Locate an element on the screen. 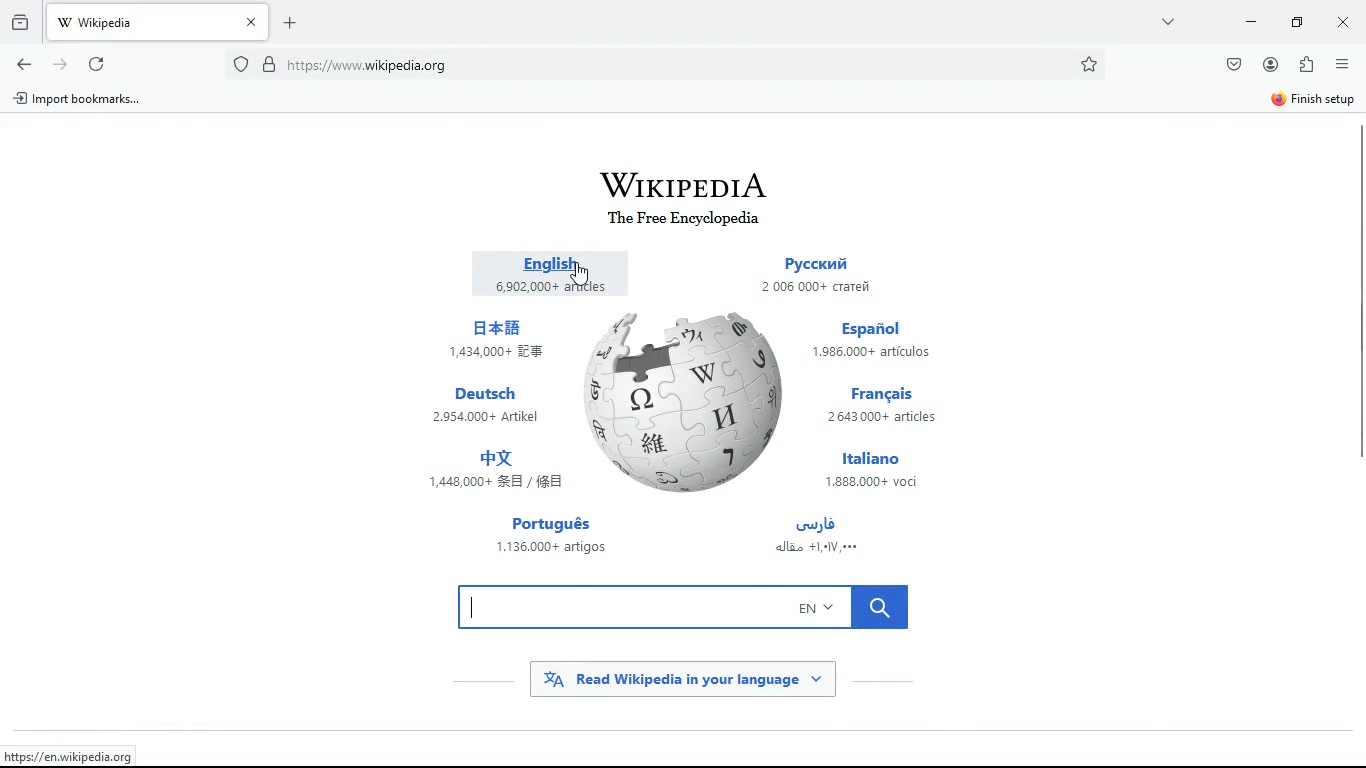 This screenshot has height=768, width=1366. protected is located at coordinates (241, 63).